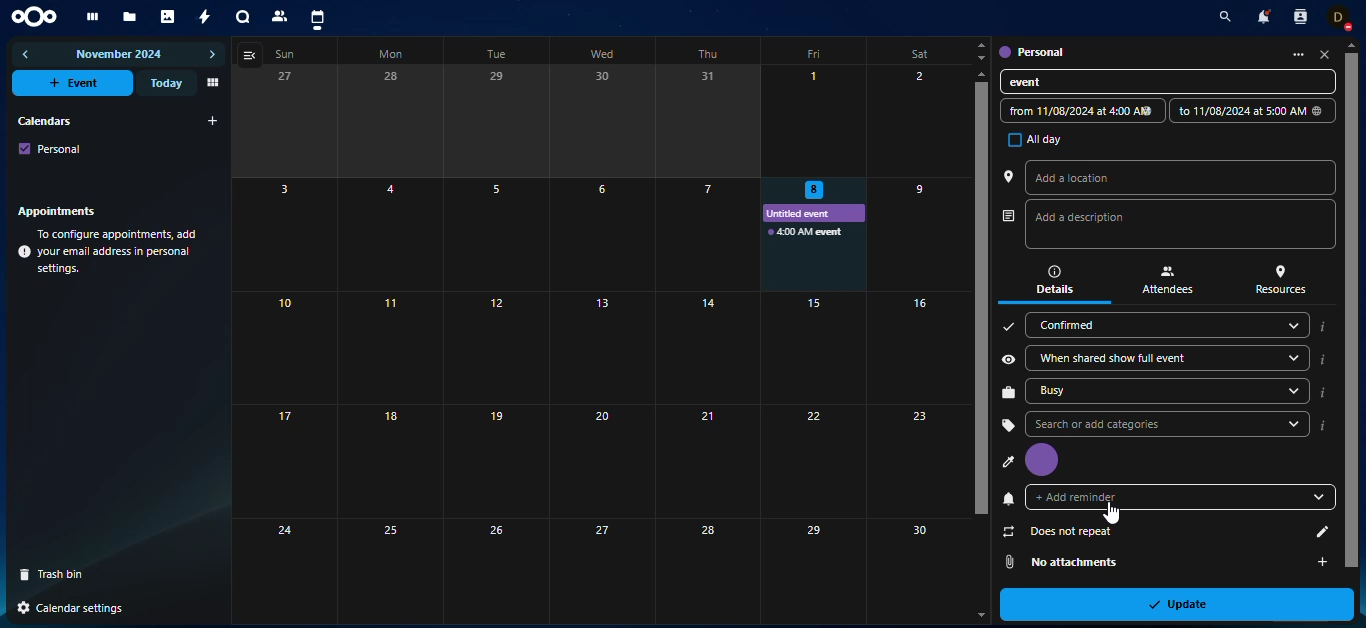 This screenshot has width=1366, height=628. Describe the element at coordinates (707, 460) in the screenshot. I see `21` at that location.